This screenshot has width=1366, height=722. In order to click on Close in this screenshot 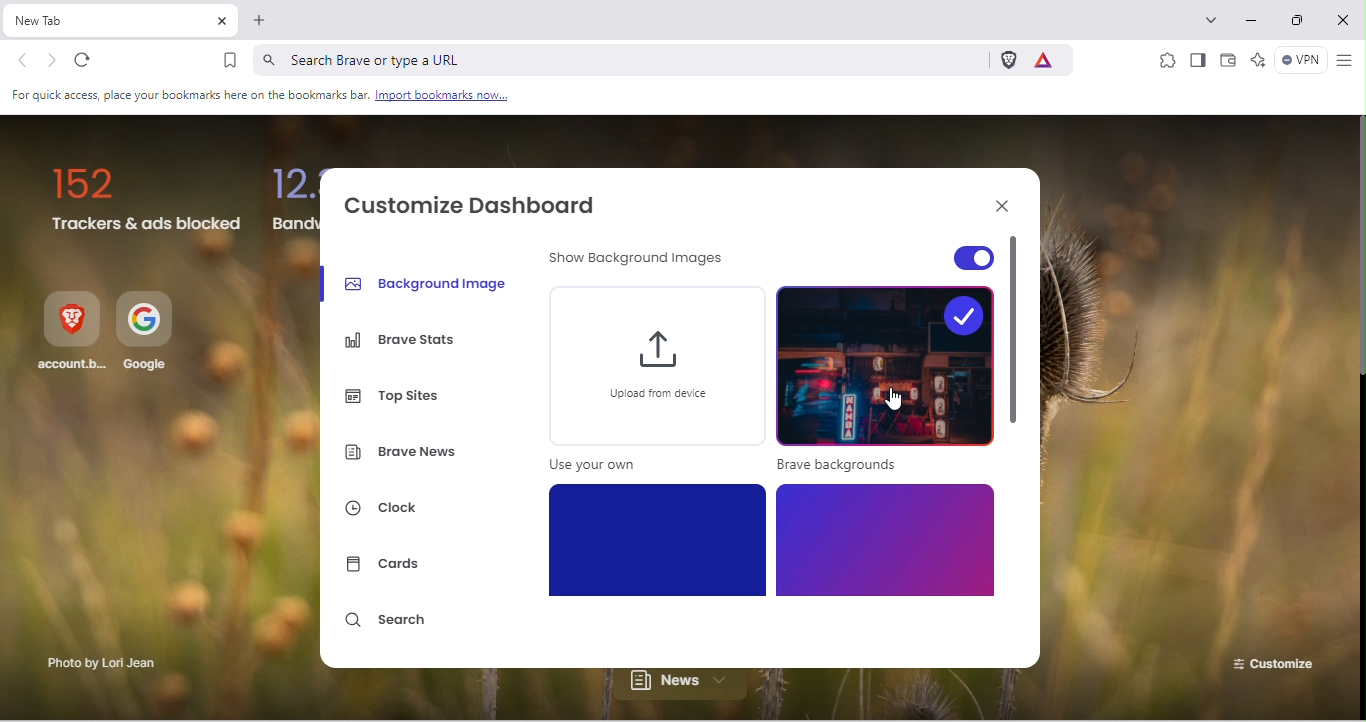, I will do `click(997, 204)`.